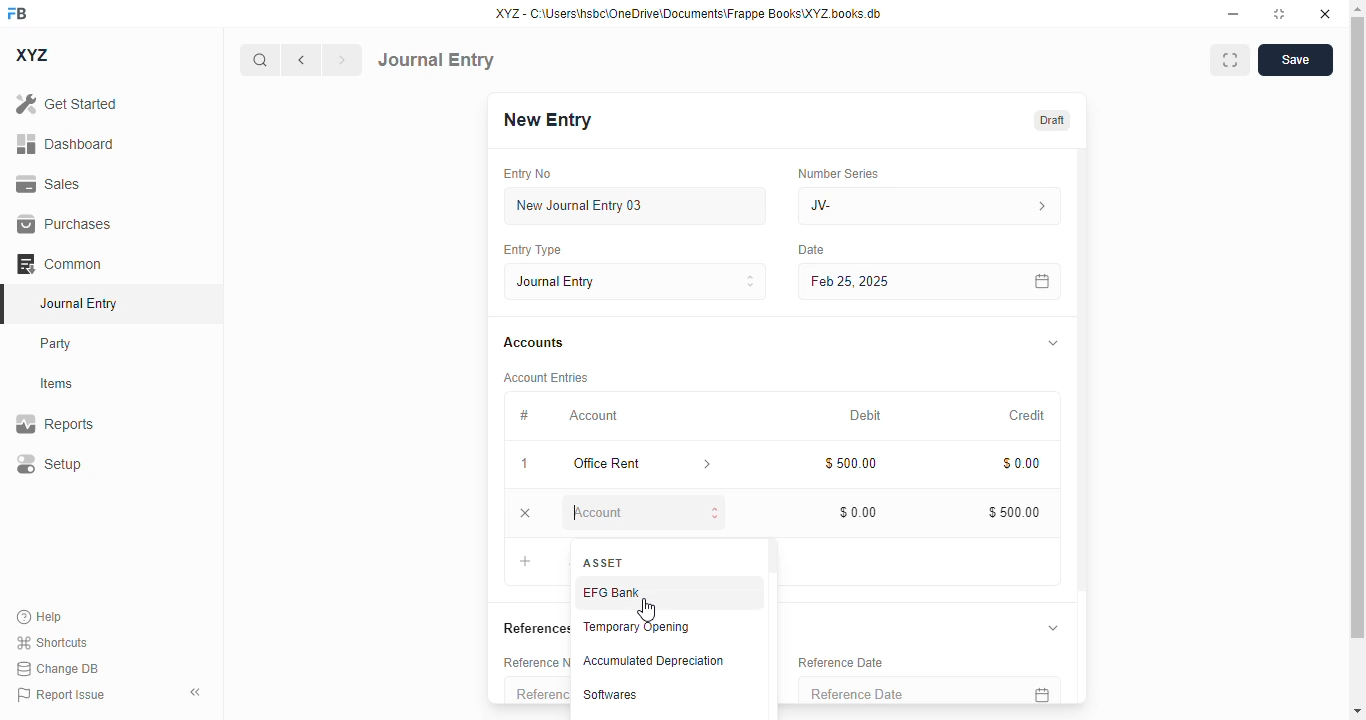 This screenshot has width=1366, height=720. I want to click on toggle maximize, so click(1278, 14).